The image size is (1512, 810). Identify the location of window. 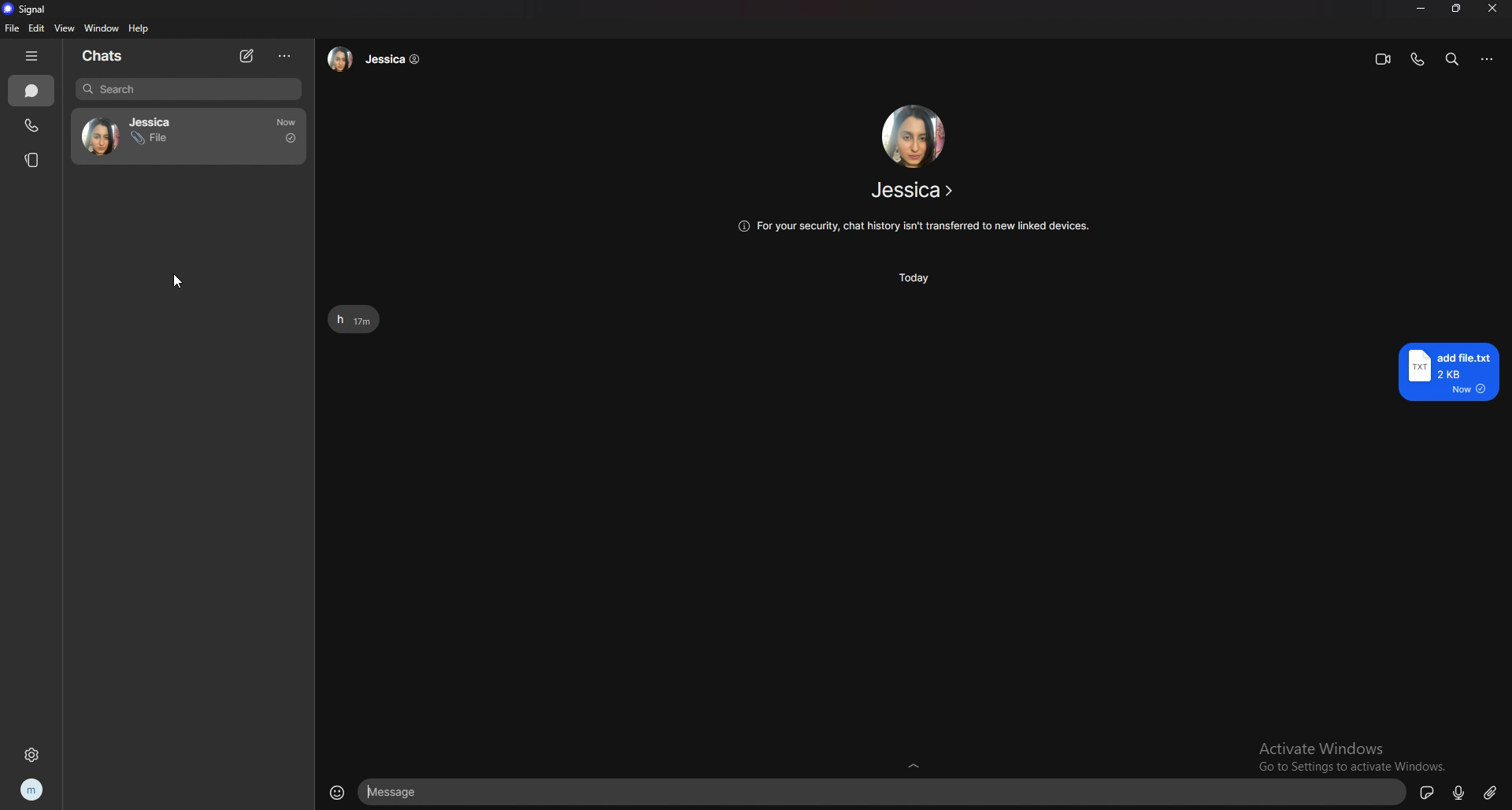
(103, 28).